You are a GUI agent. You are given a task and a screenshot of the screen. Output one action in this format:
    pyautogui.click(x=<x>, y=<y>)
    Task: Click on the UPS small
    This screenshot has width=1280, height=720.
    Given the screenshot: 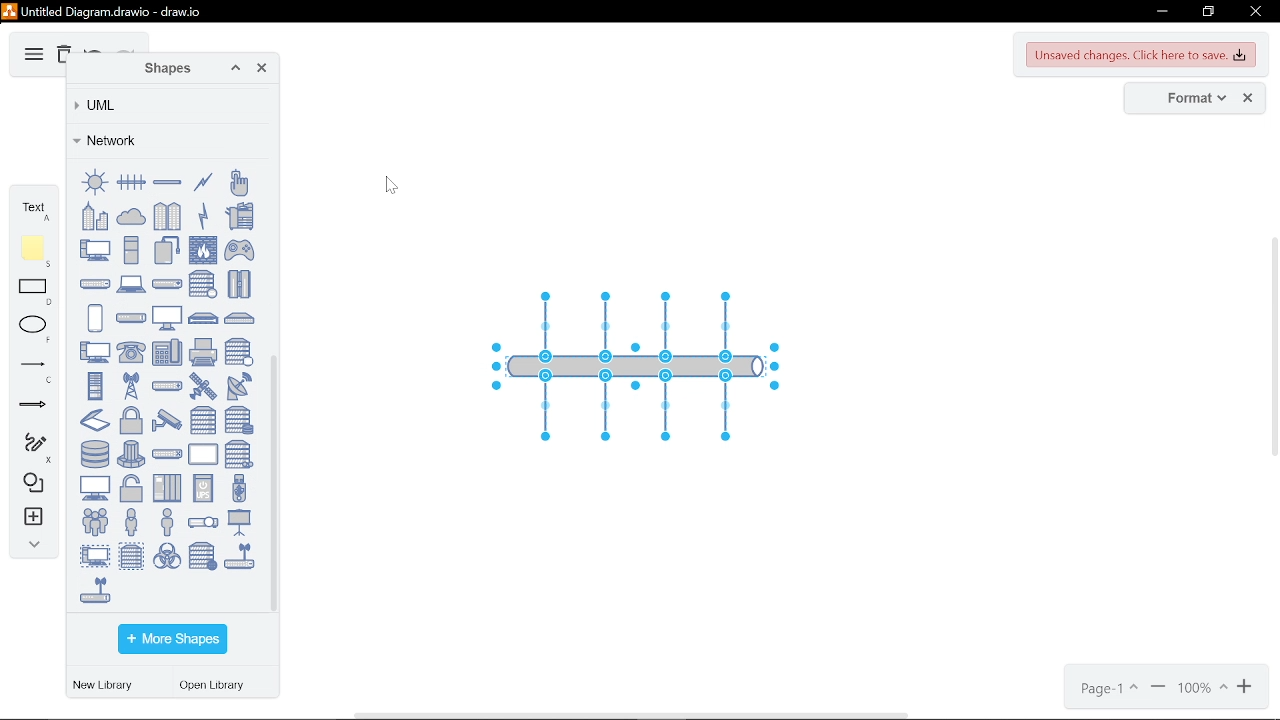 What is the action you would take?
    pyautogui.click(x=203, y=487)
    